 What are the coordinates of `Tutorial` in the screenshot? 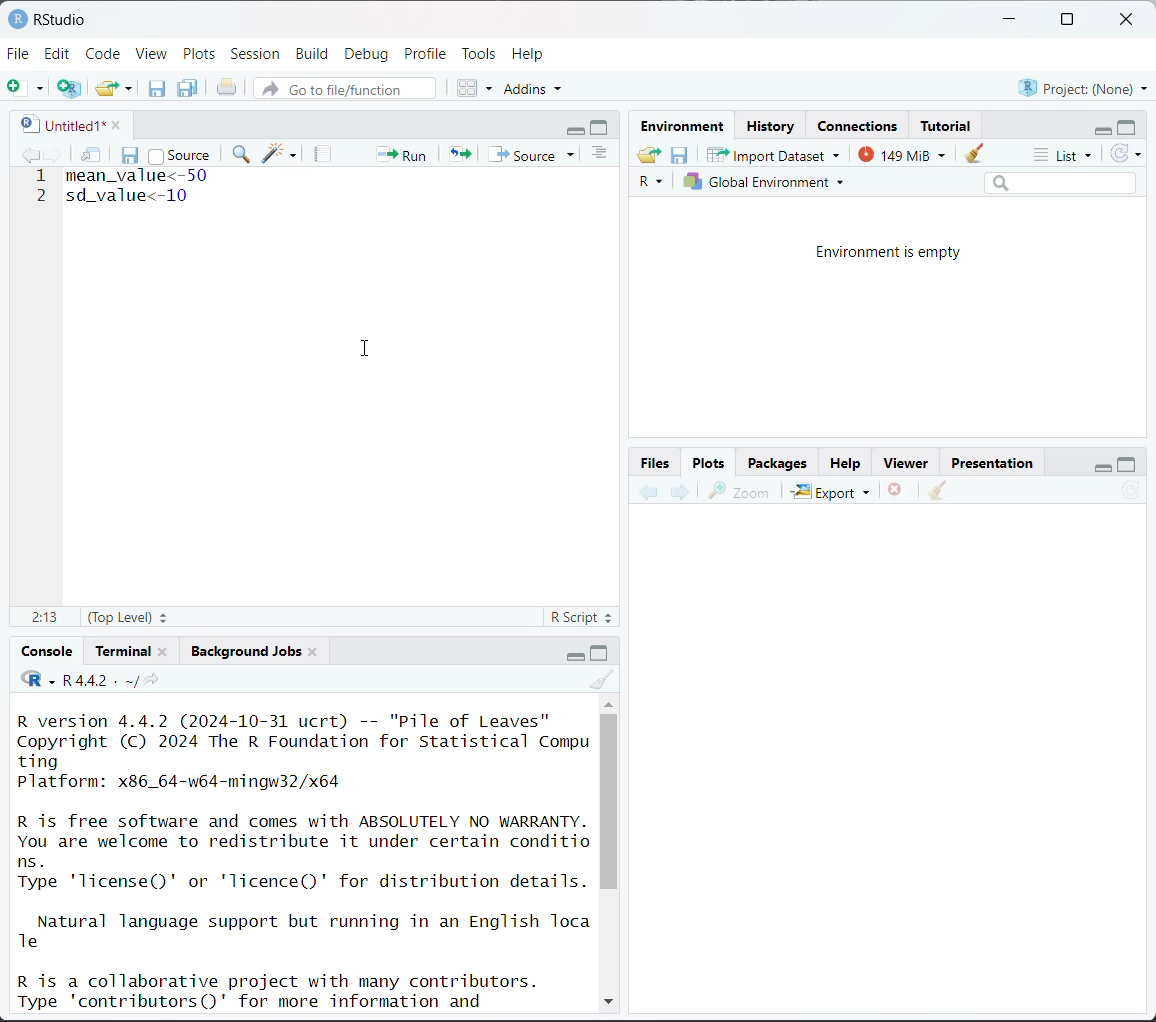 It's located at (948, 123).